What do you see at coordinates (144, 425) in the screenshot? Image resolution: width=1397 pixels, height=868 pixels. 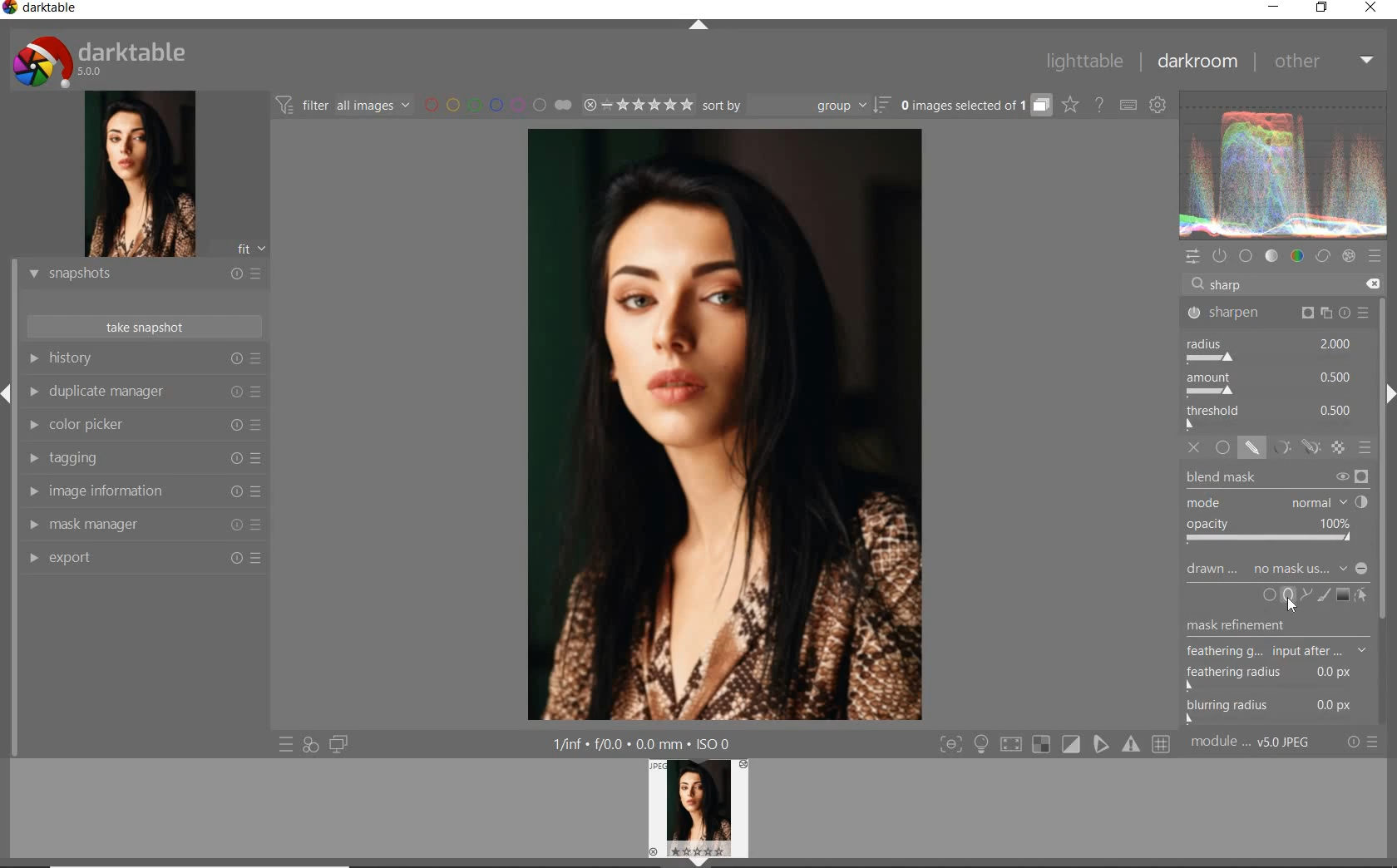 I see `color picker` at bounding box center [144, 425].